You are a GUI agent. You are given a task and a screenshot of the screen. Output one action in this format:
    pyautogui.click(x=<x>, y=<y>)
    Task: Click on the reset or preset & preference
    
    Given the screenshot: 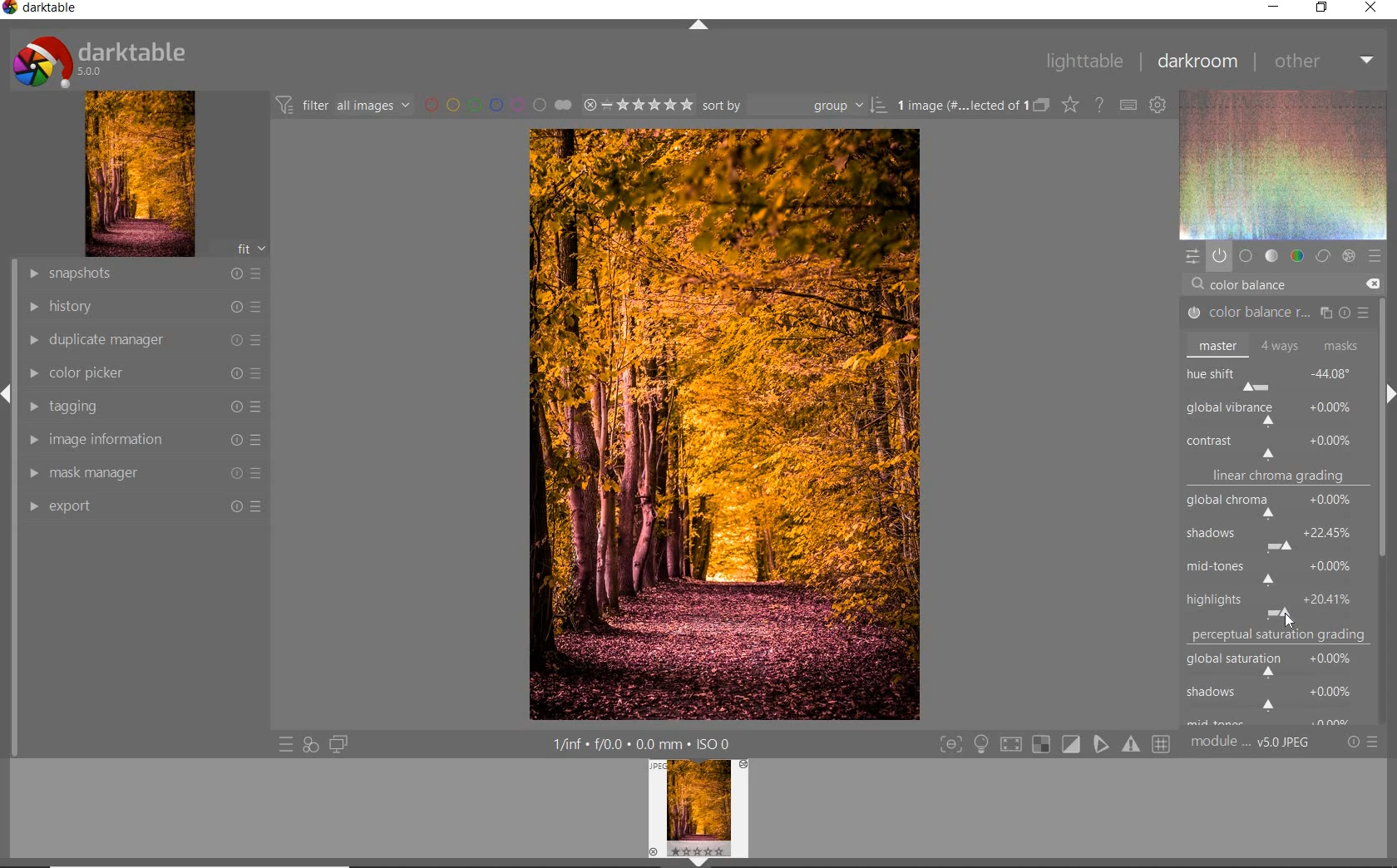 What is the action you would take?
    pyautogui.click(x=1361, y=742)
    